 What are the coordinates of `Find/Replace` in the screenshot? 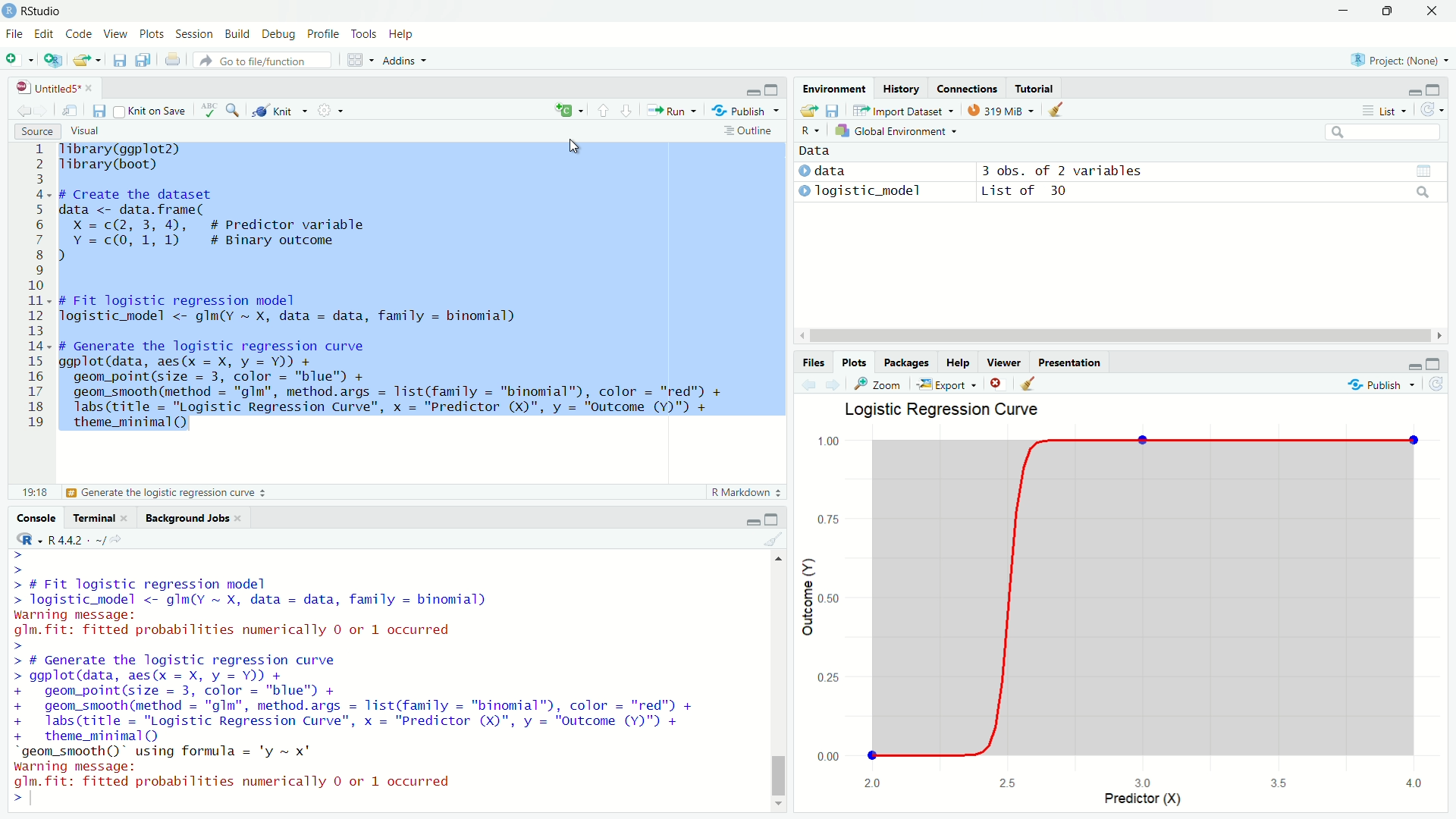 It's located at (234, 109).